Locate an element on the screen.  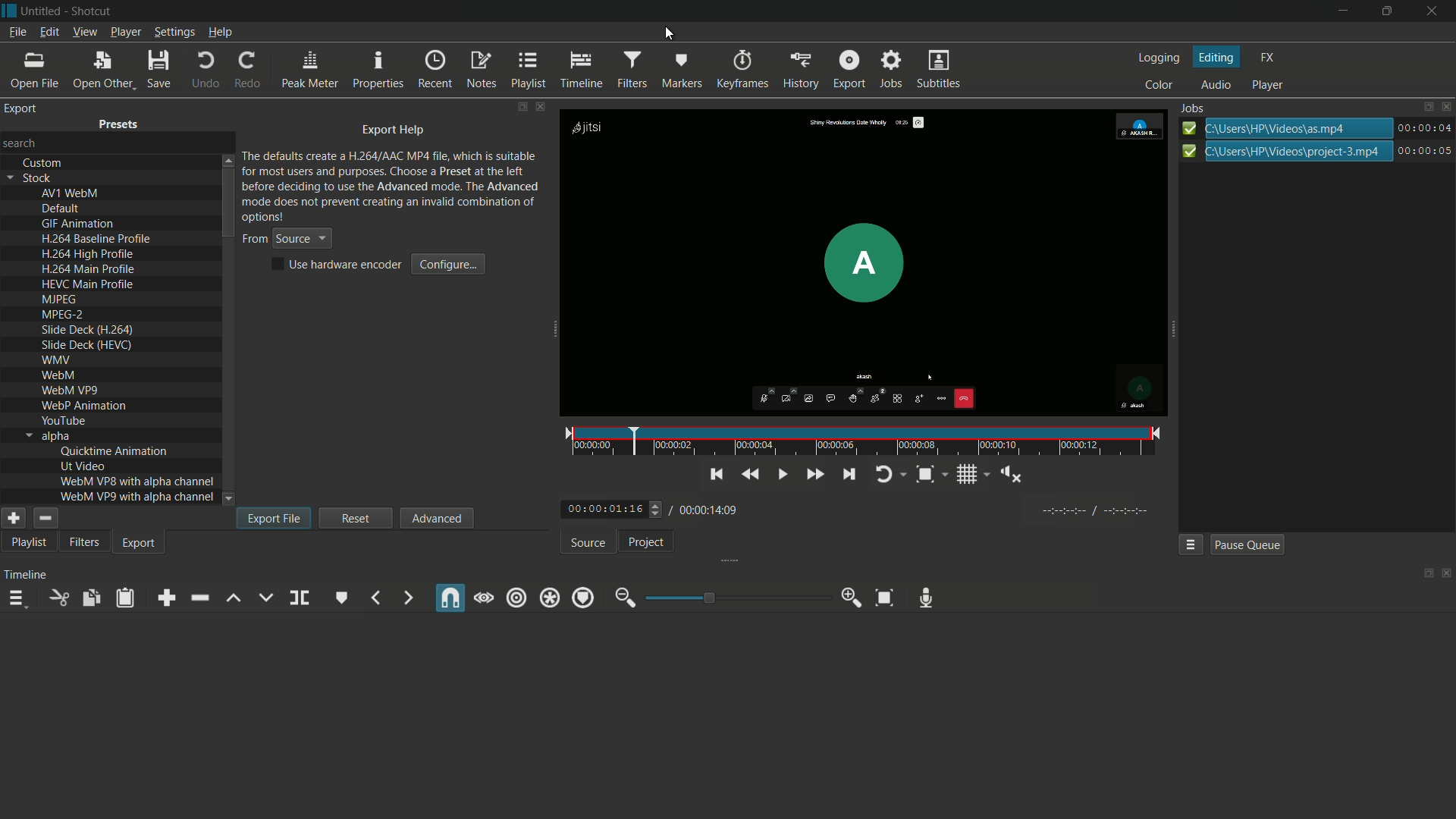
append is located at coordinates (163, 598).